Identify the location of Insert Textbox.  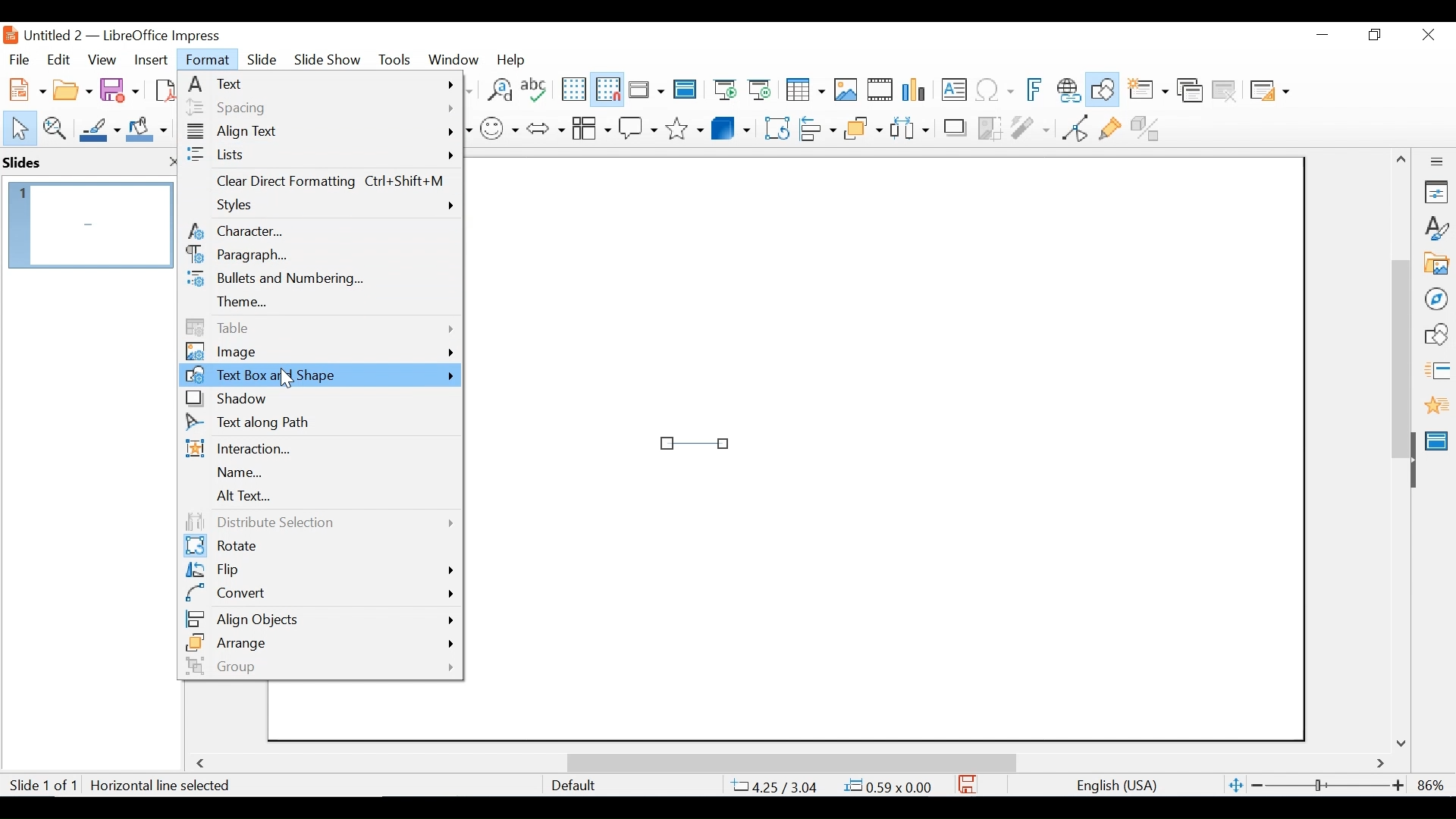
(952, 91).